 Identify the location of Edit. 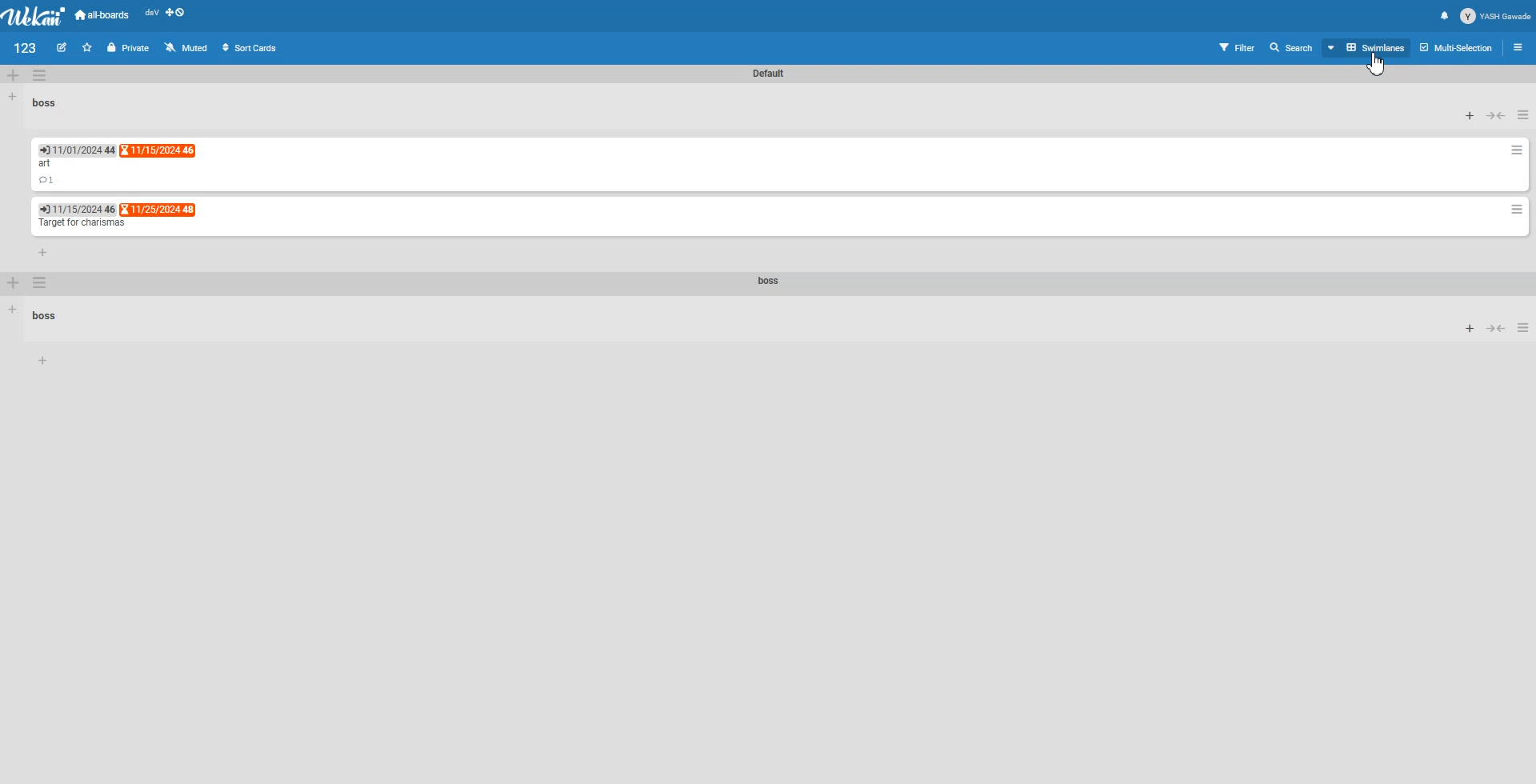
(63, 47).